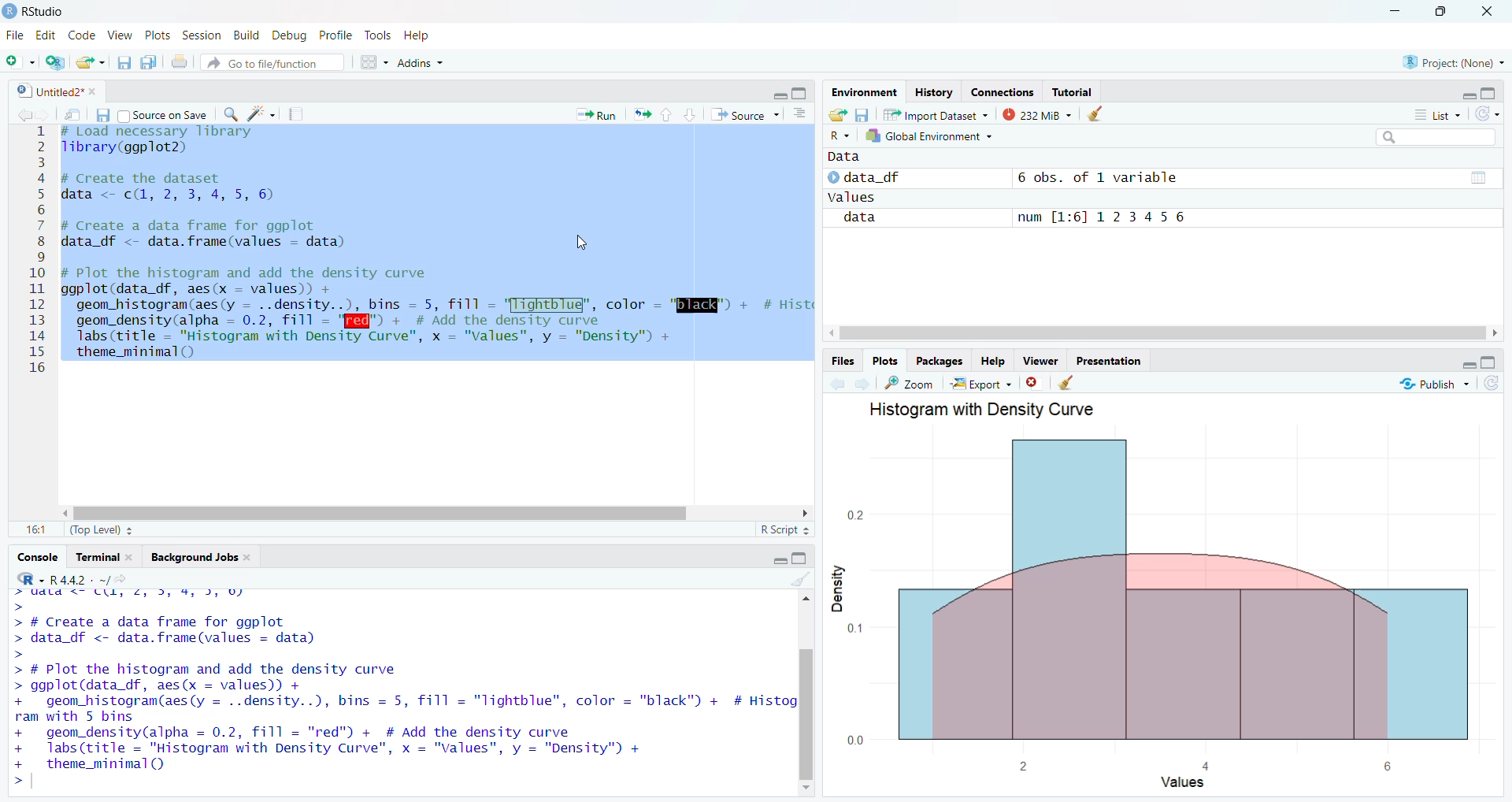 Image resolution: width=1512 pixels, height=802 pixels. What do you see at coordinates (298, 113) in the screenshot?
I see `compile report` at bounding box center [298, 113].